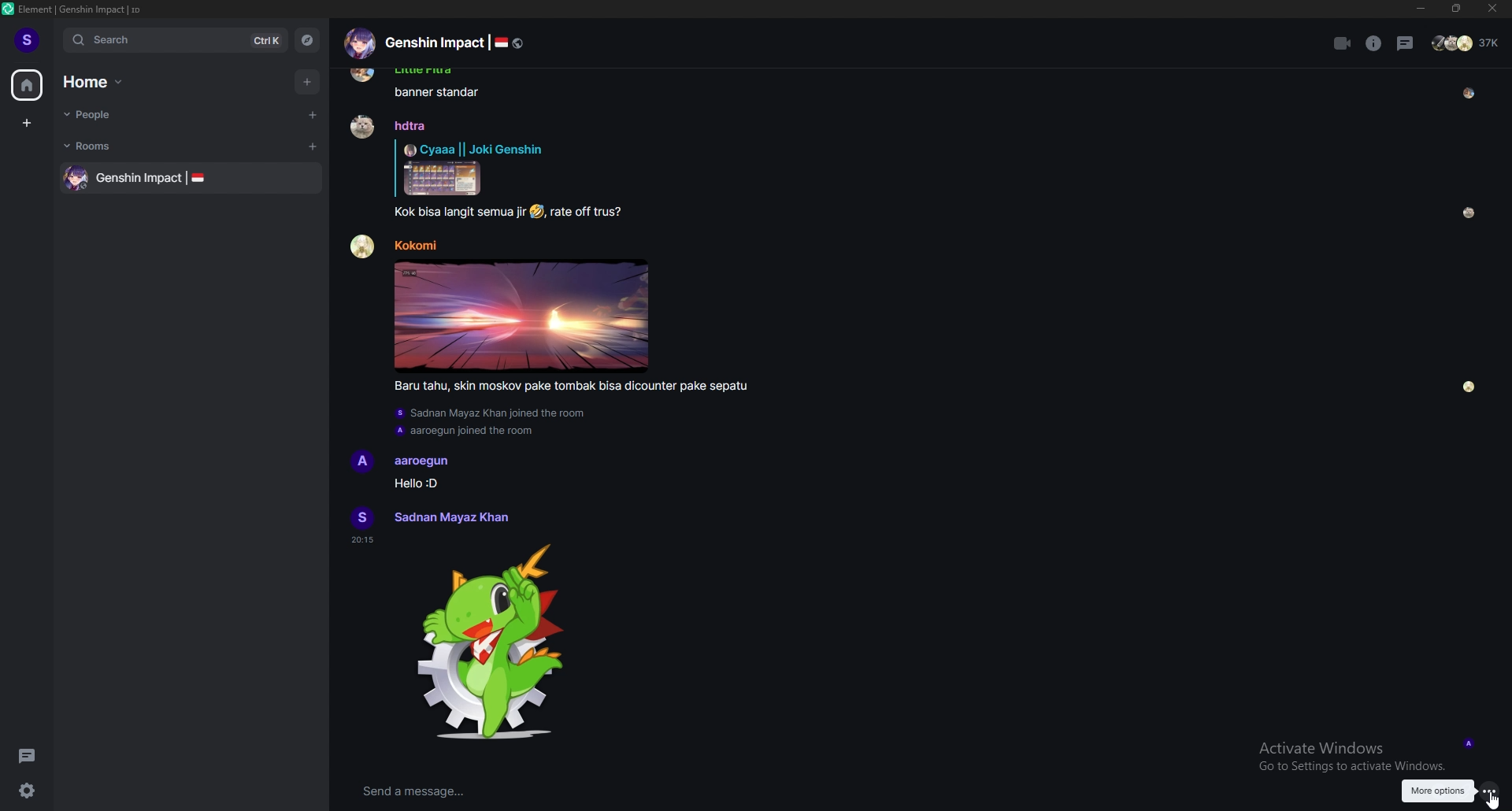 This screenshot has width=1512, height=811. Describe the element at coordinates (1469, 387) in the screenshot. I see `seen by` at that location.